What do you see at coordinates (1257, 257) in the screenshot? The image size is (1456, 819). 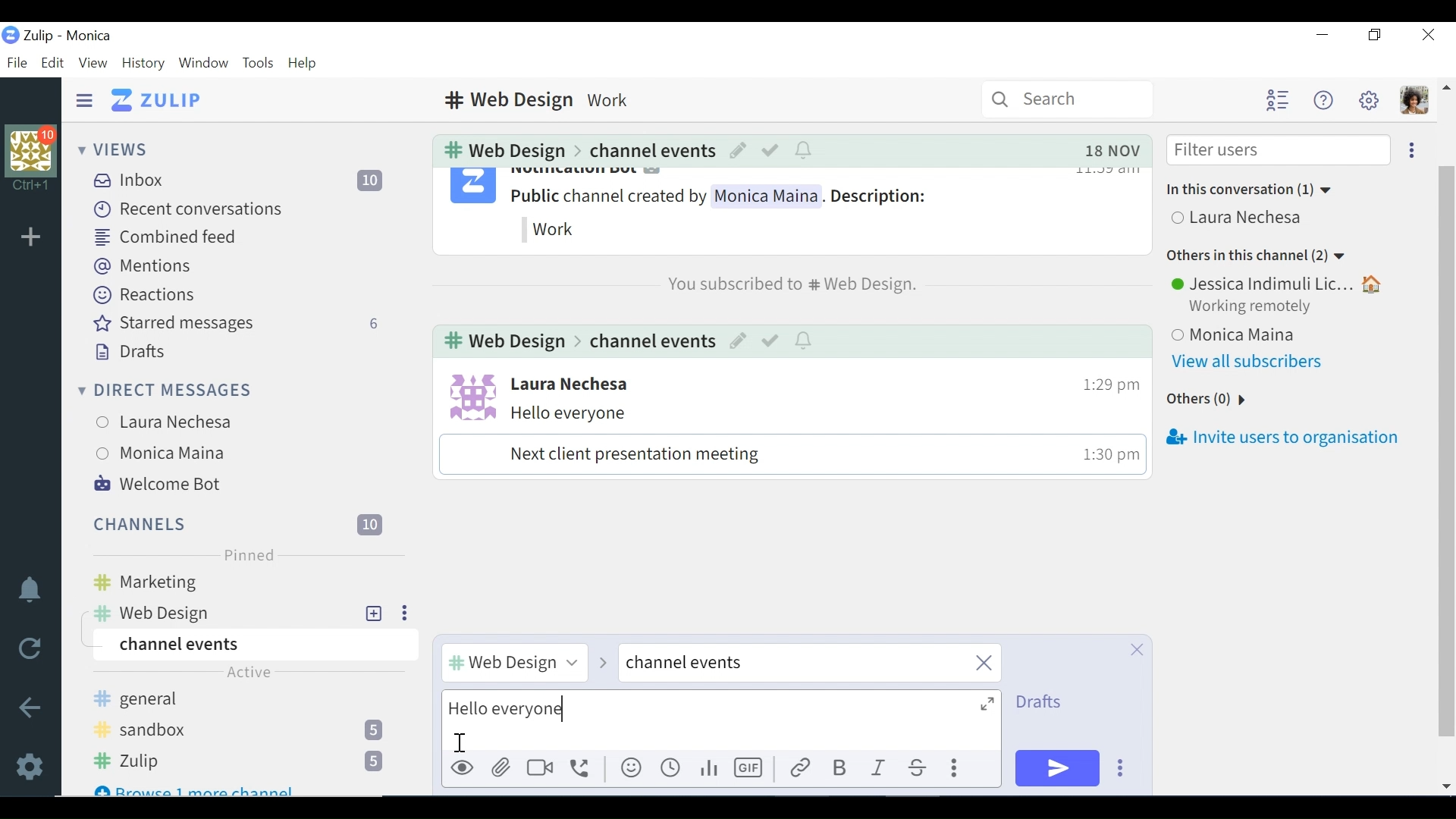 I see `Others in this channel` at bounding box center [1257, 257].